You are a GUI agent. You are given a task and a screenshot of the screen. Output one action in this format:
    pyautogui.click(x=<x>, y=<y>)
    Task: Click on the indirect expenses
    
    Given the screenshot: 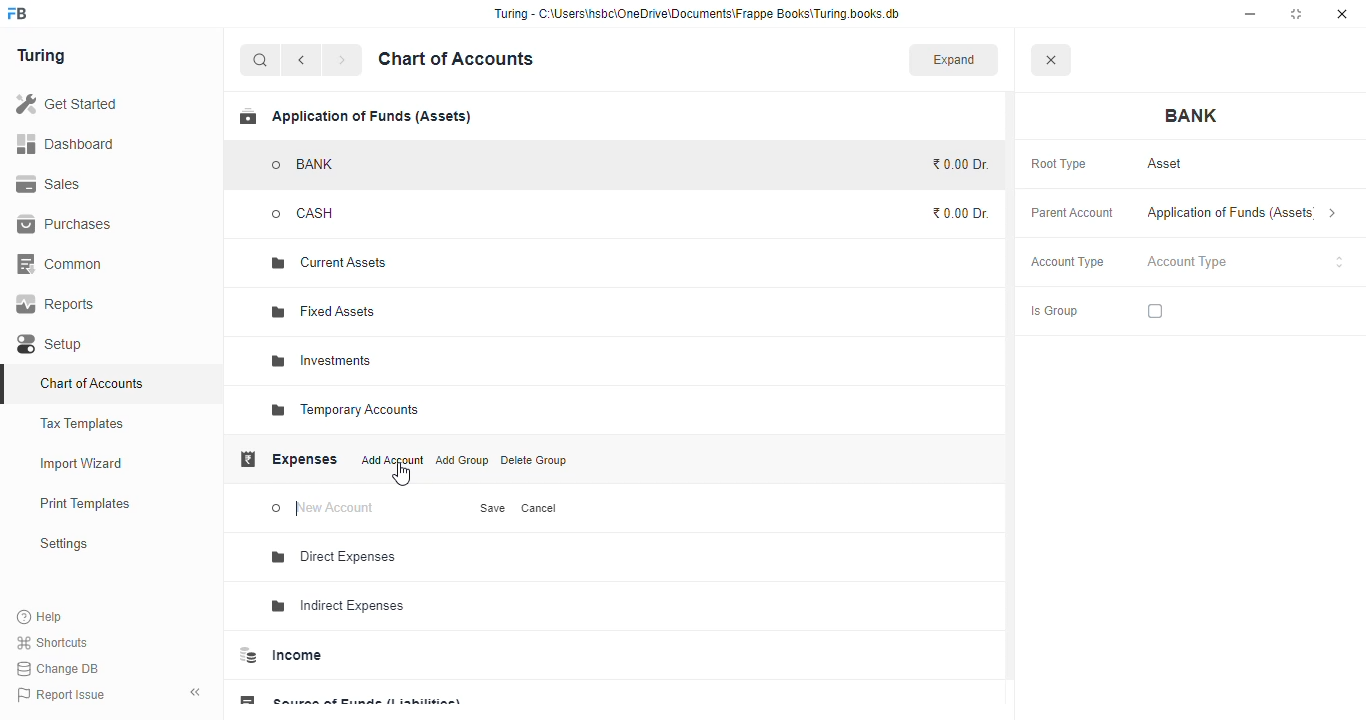 What is the action you would take?
    pyautogui.click(x=338, y=606)
    